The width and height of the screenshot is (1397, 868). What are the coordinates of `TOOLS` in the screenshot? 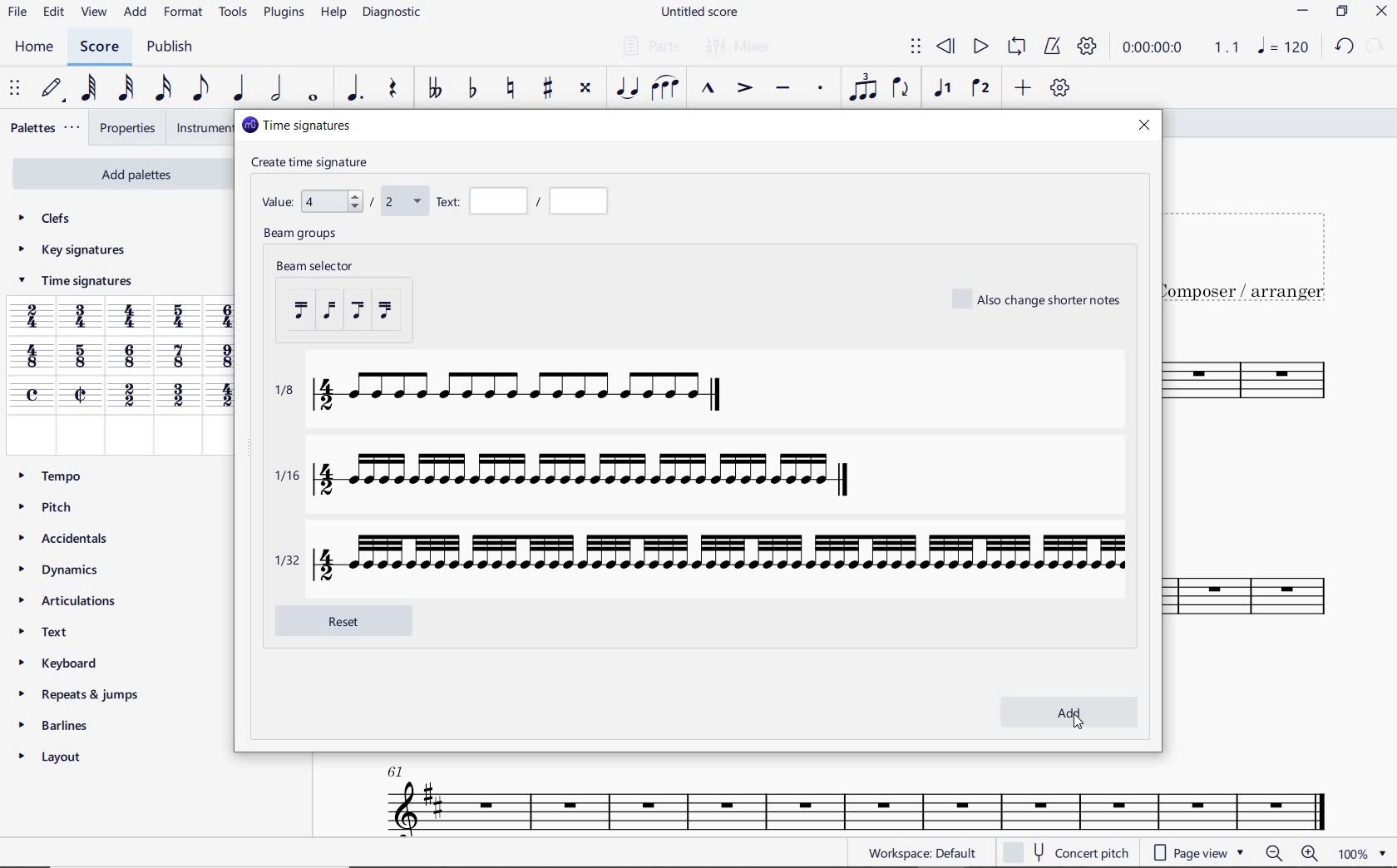 It's located at (230, 12).